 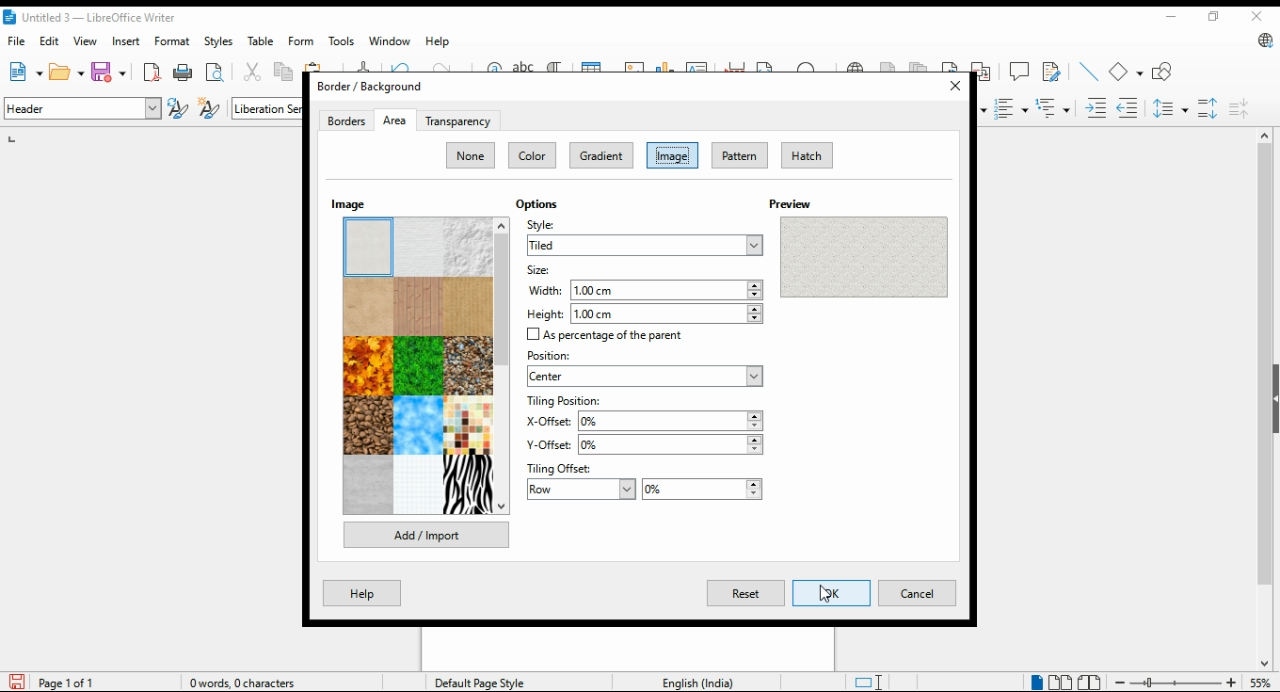 I want to click on decrease indent, so click(x=1129, y=107).